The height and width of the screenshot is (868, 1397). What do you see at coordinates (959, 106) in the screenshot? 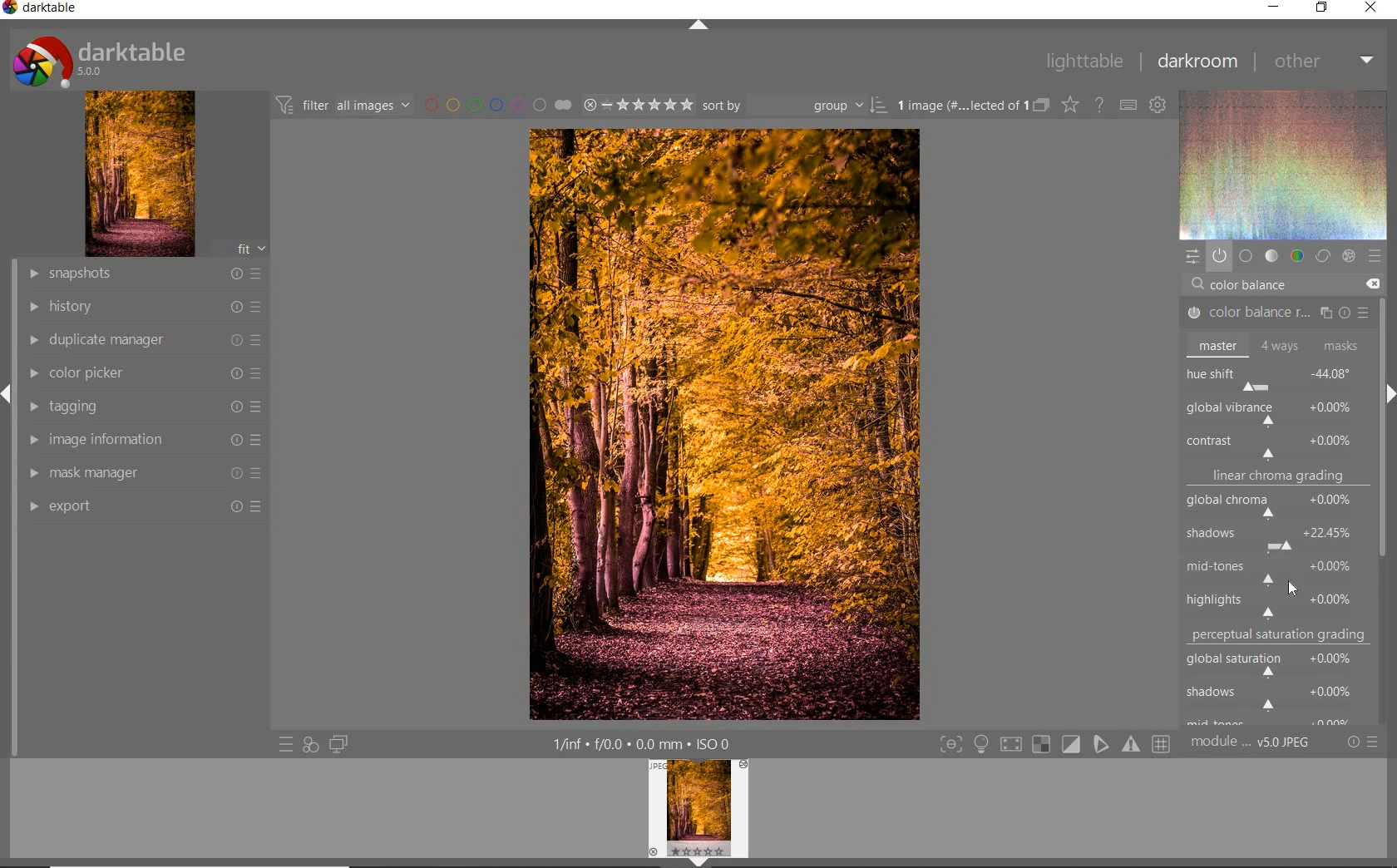
I see `selected images` at bounding box center [959, 106].